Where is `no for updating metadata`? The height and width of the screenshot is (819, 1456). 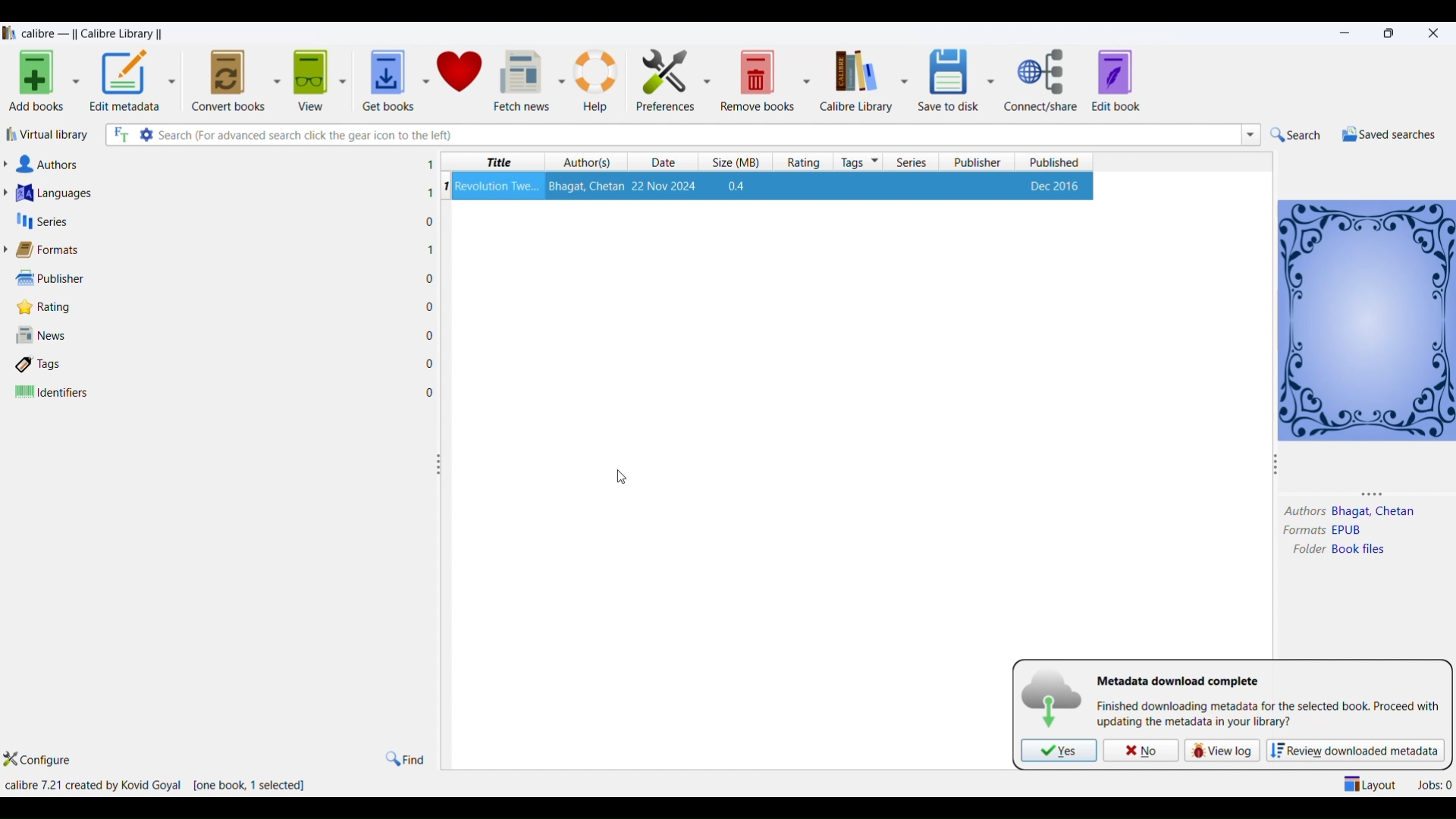 no for updating metadata is located at coordinates (1140, 750).